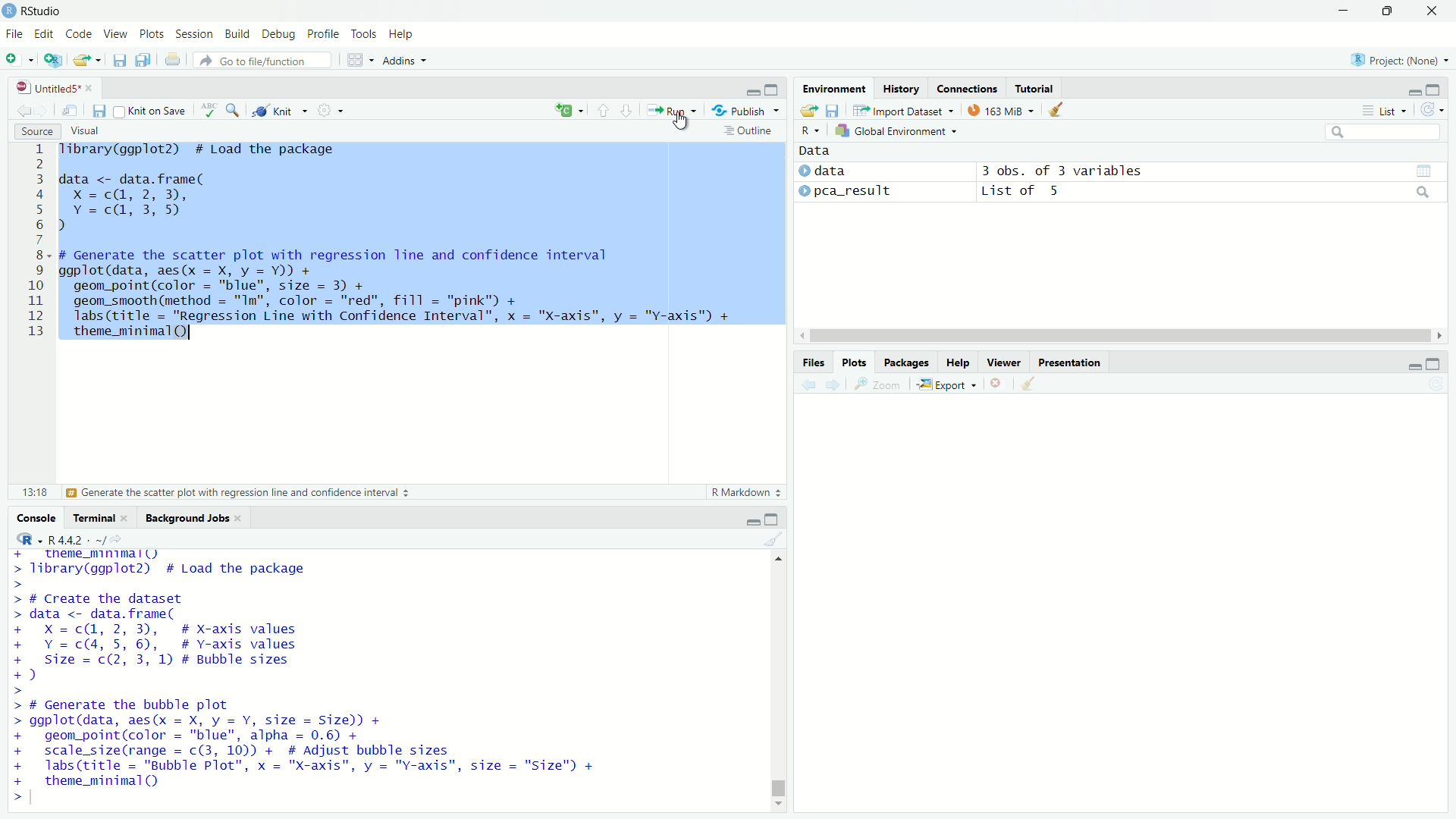 Image resolution: width=1456 pixels, height=819 pixels. I want to click on minimize, so click(751, 519).